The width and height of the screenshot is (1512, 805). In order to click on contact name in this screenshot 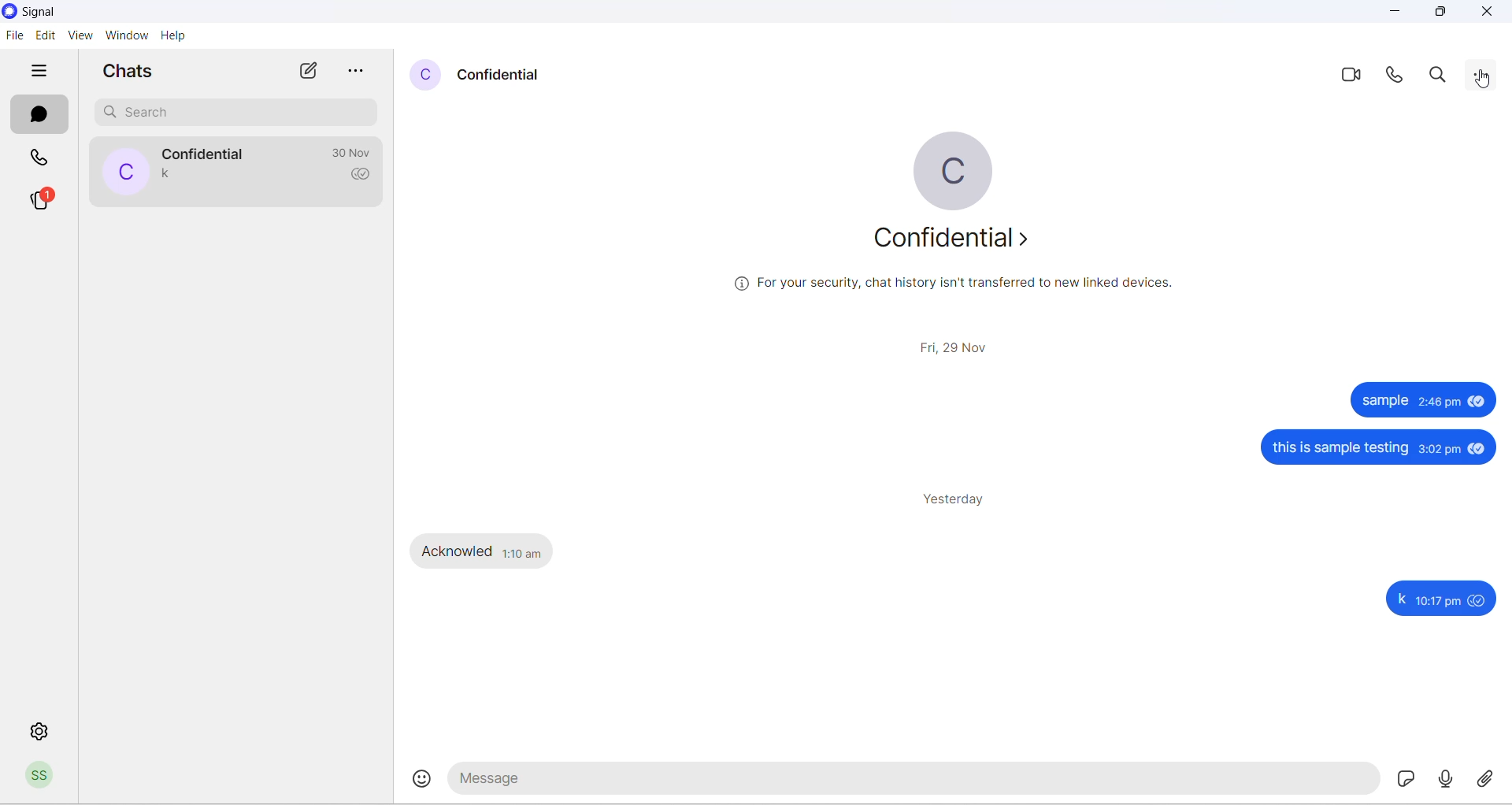, I will do `click(510, 76)`.